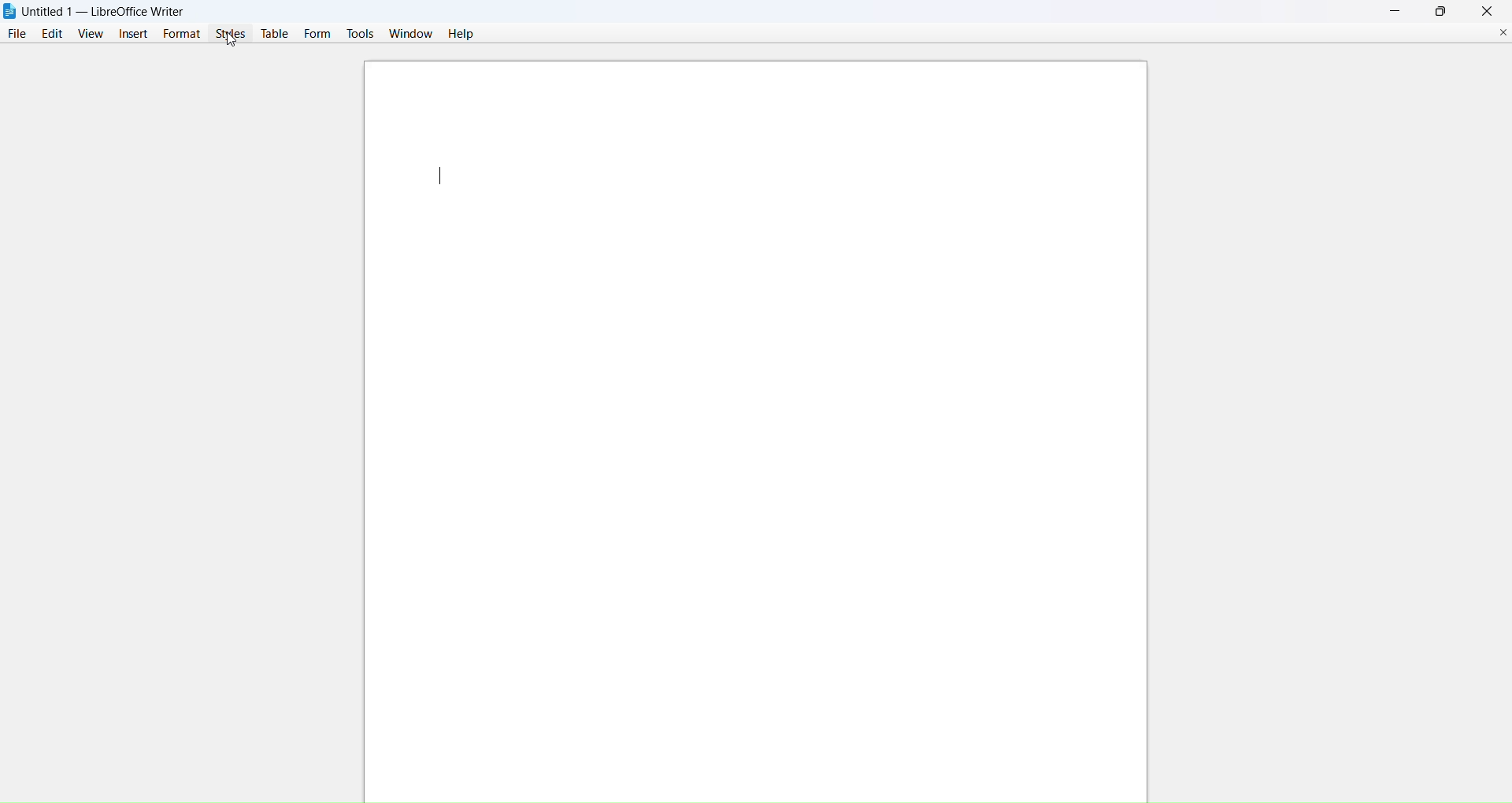 This screenshot has width=1512, height=803. What do you see at coordinates (755, 519) in the screenshot?
I see `canvas` at bounding box center [755, 519].